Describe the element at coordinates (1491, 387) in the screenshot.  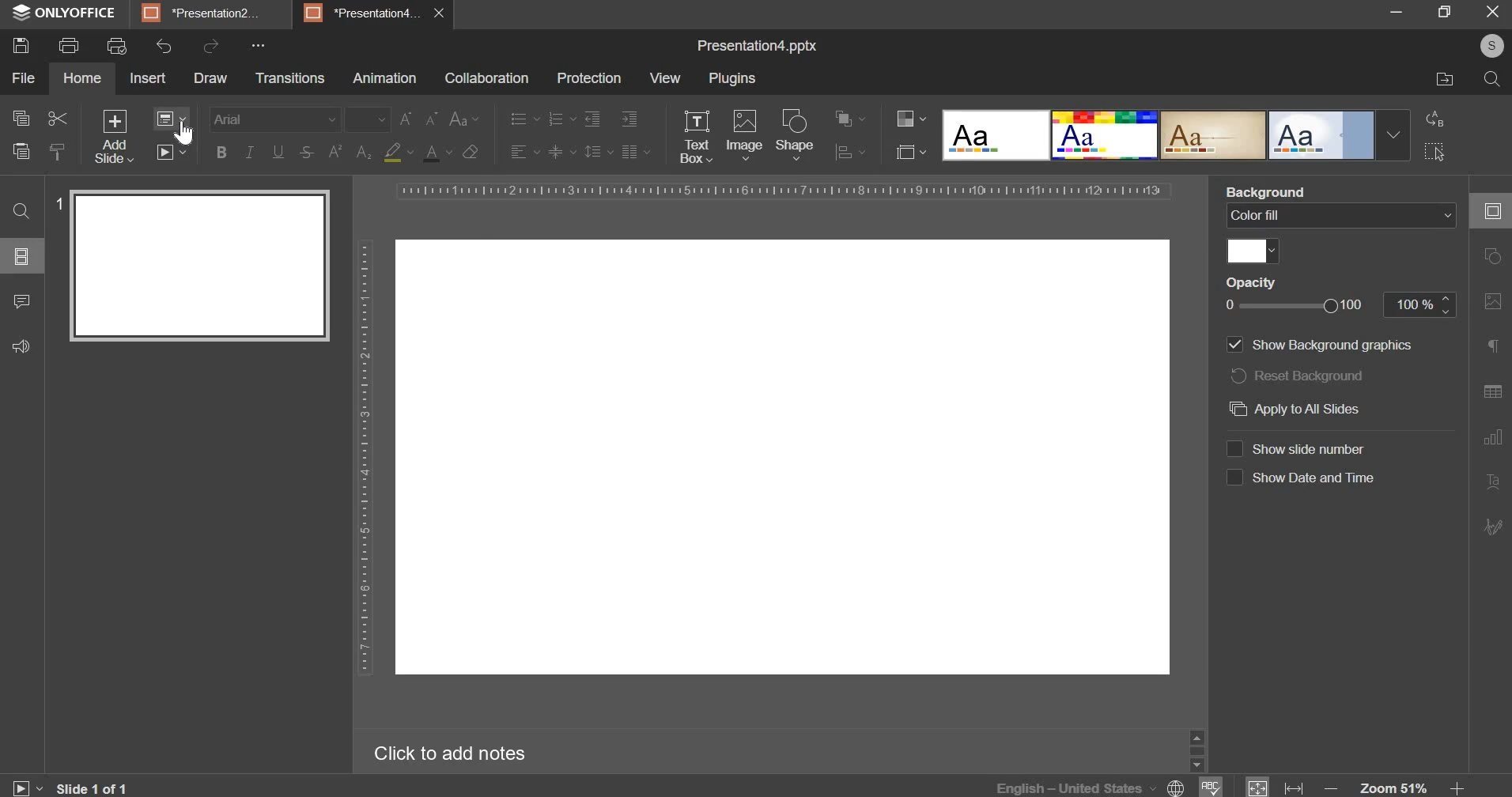
I see `table setting` at that location.